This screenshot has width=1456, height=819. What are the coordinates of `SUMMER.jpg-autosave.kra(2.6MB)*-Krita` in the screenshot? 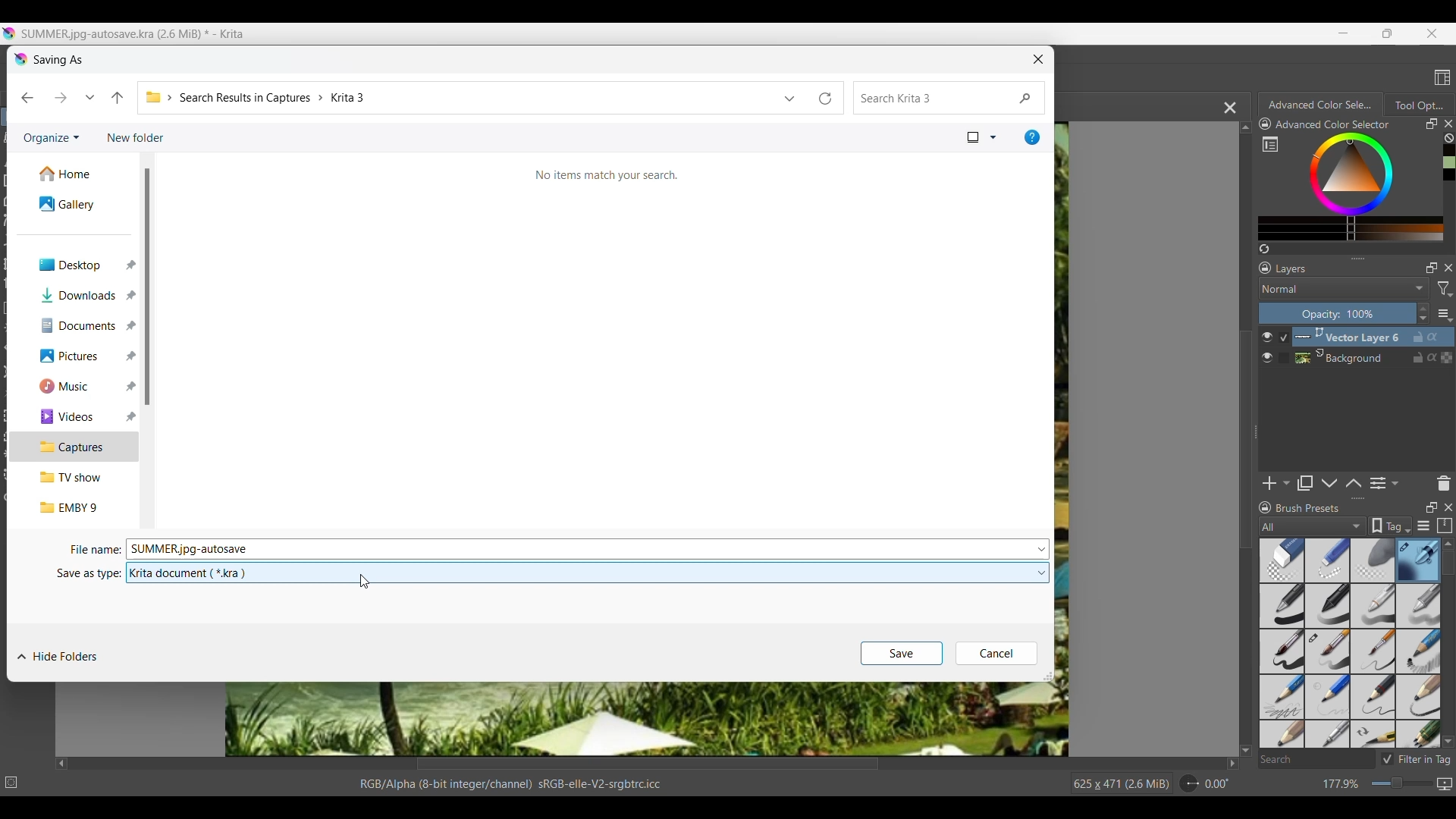 It's located at (135, 34).